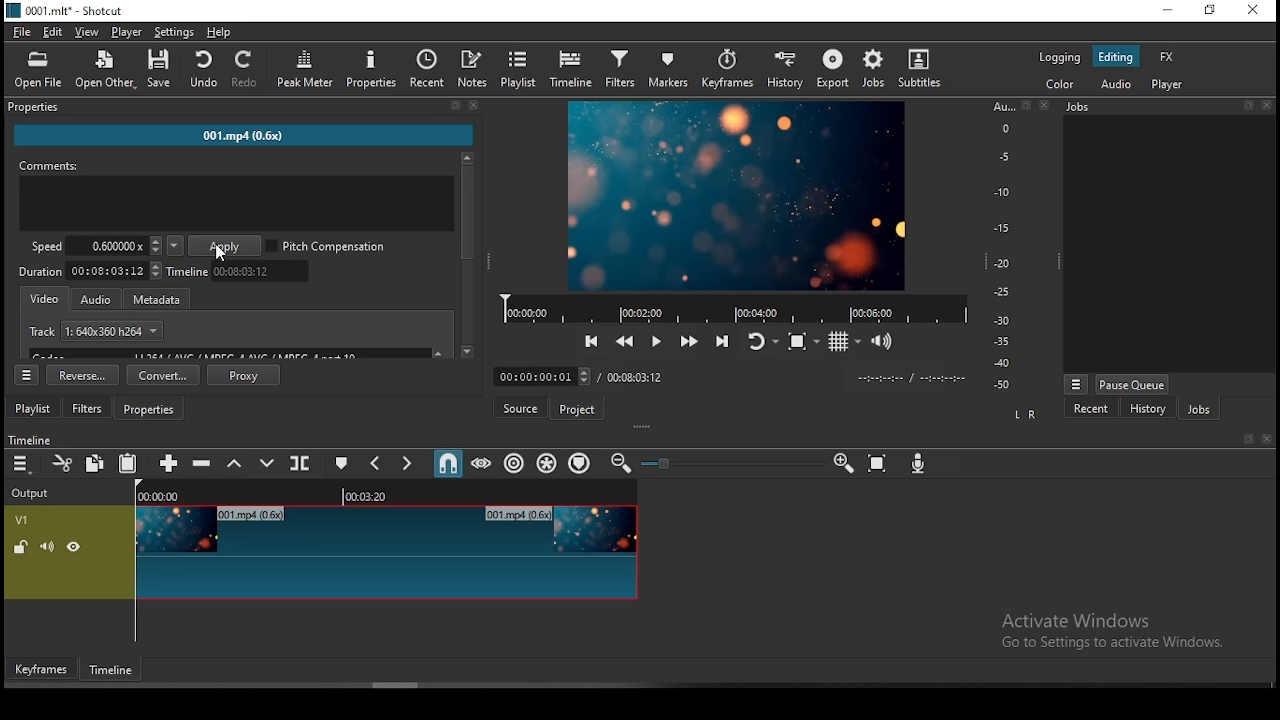  I want to click on properties, so click(372, 69).